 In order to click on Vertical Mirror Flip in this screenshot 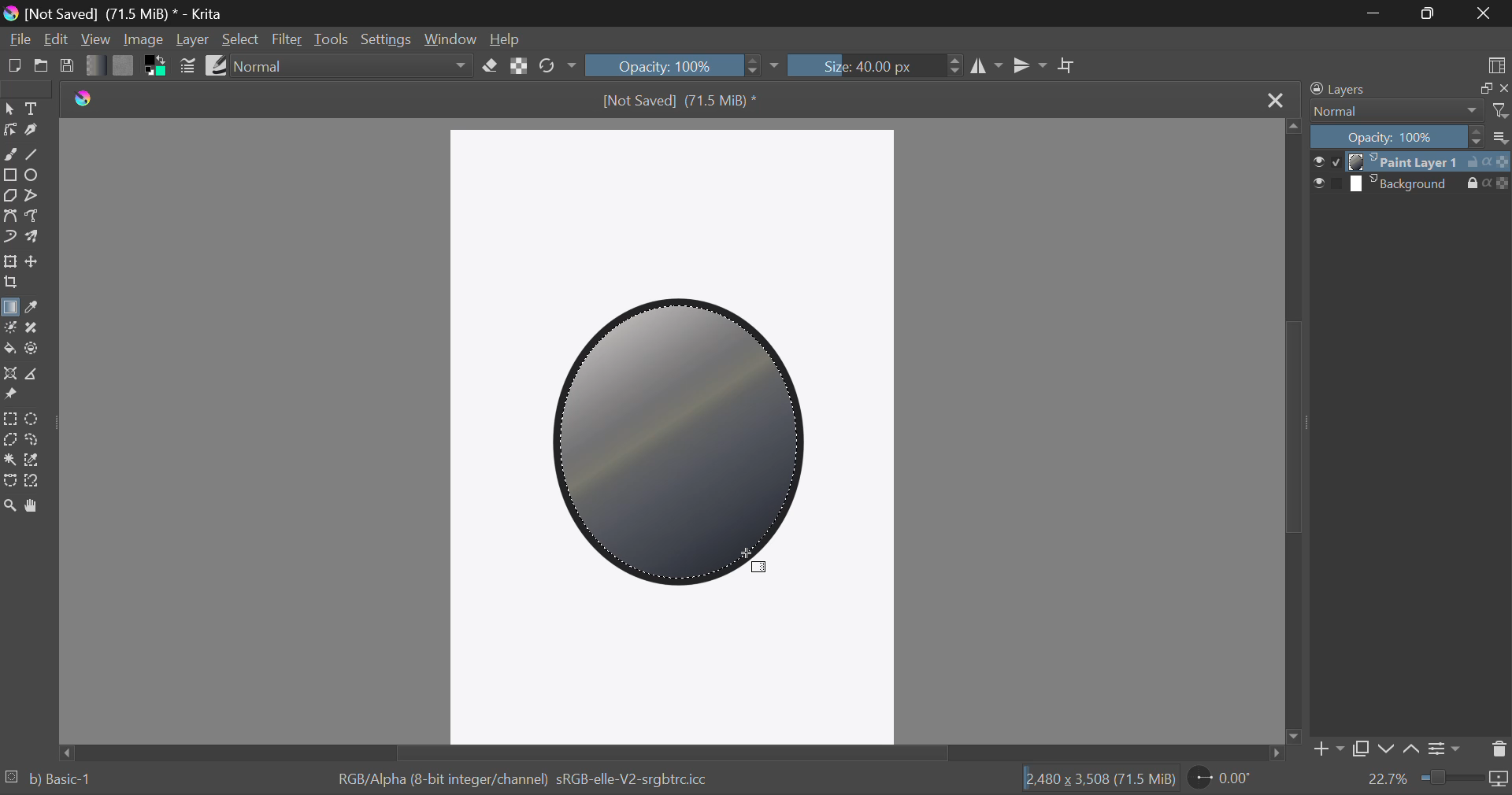, I will do `click(988, 66)`.